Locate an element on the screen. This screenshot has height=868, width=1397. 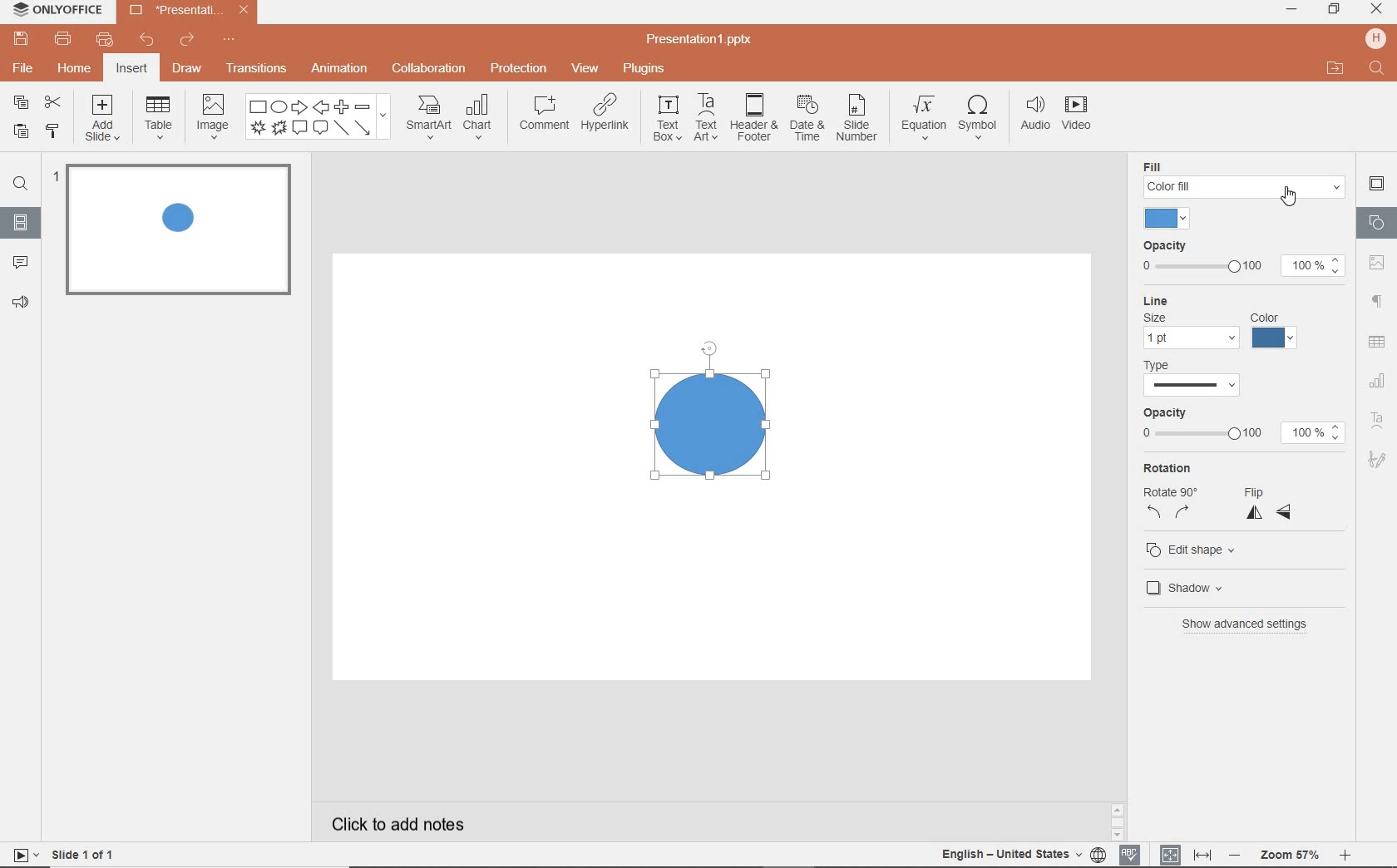
flip is located at coordinates (1270, 501).